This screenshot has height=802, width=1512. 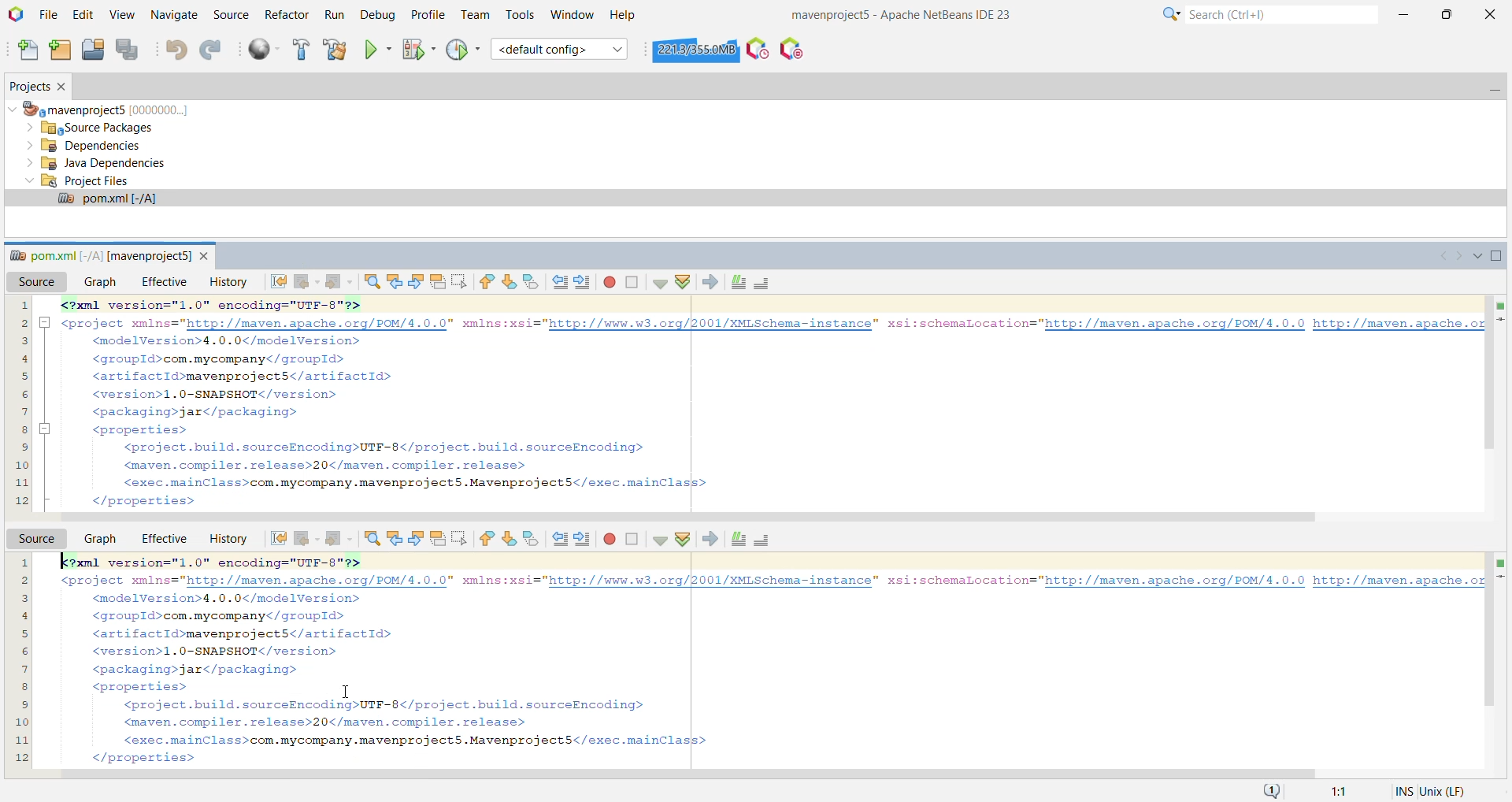 I want to click on <properties>, so click(x=143, y=688).